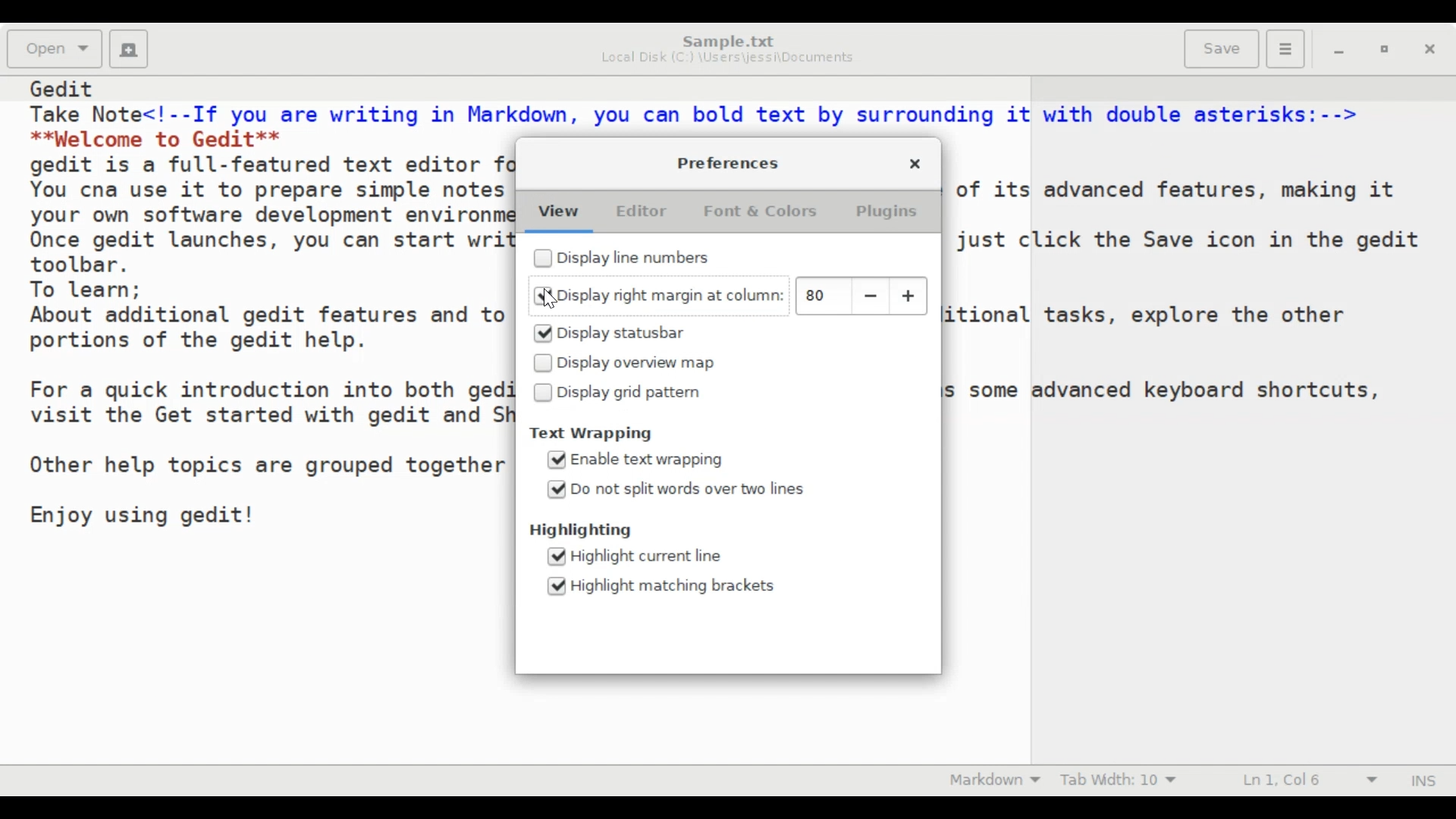 The height and width of the screenshot is (819, 1456). Describe the element at coordinates (995, 780) in the screenshot. I see `Highlight mode: Markdown` at that location.